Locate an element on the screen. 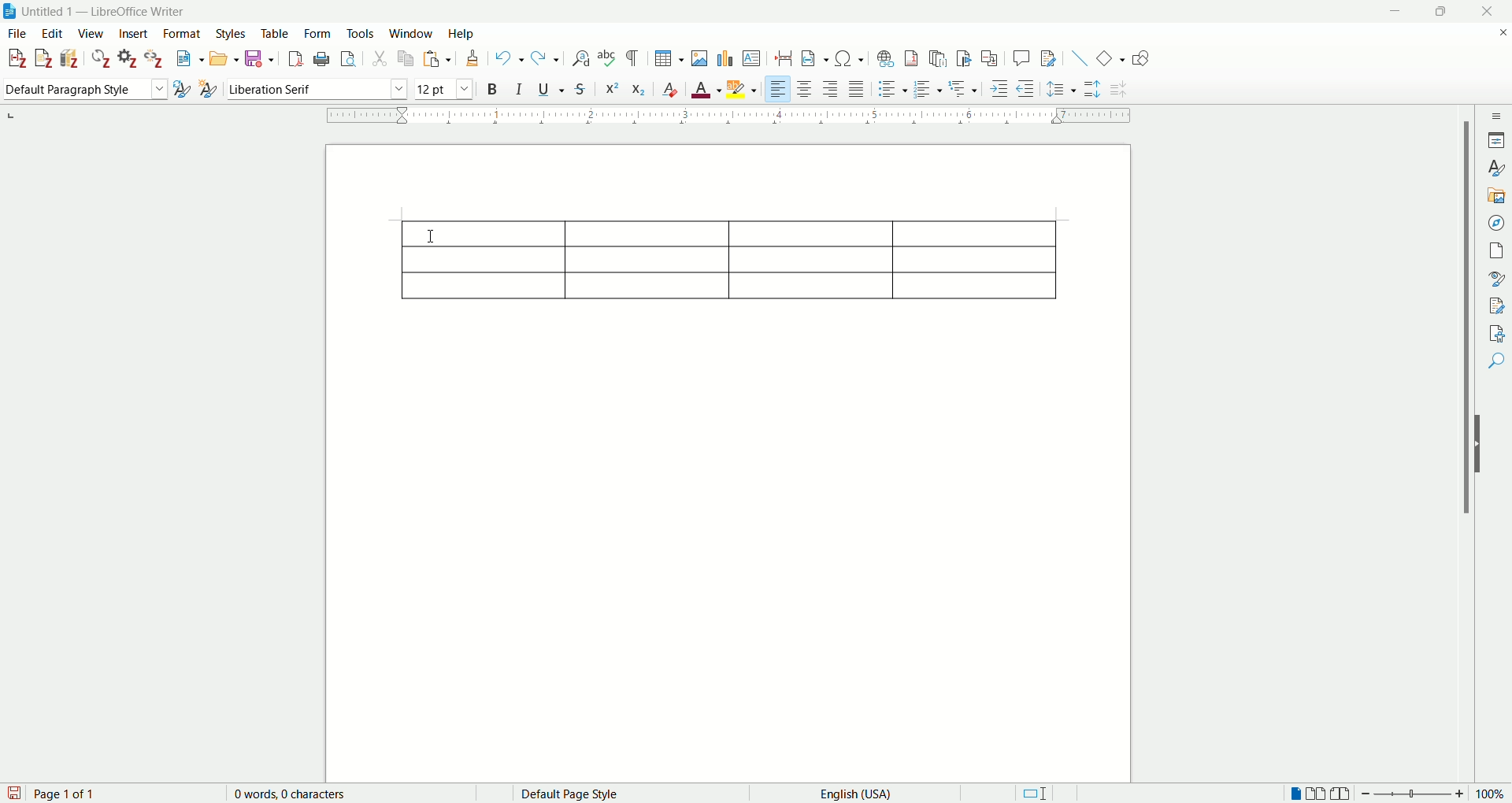 The width and height of the screenshot is (1512, 803). table is located at coordinates (276, 32).